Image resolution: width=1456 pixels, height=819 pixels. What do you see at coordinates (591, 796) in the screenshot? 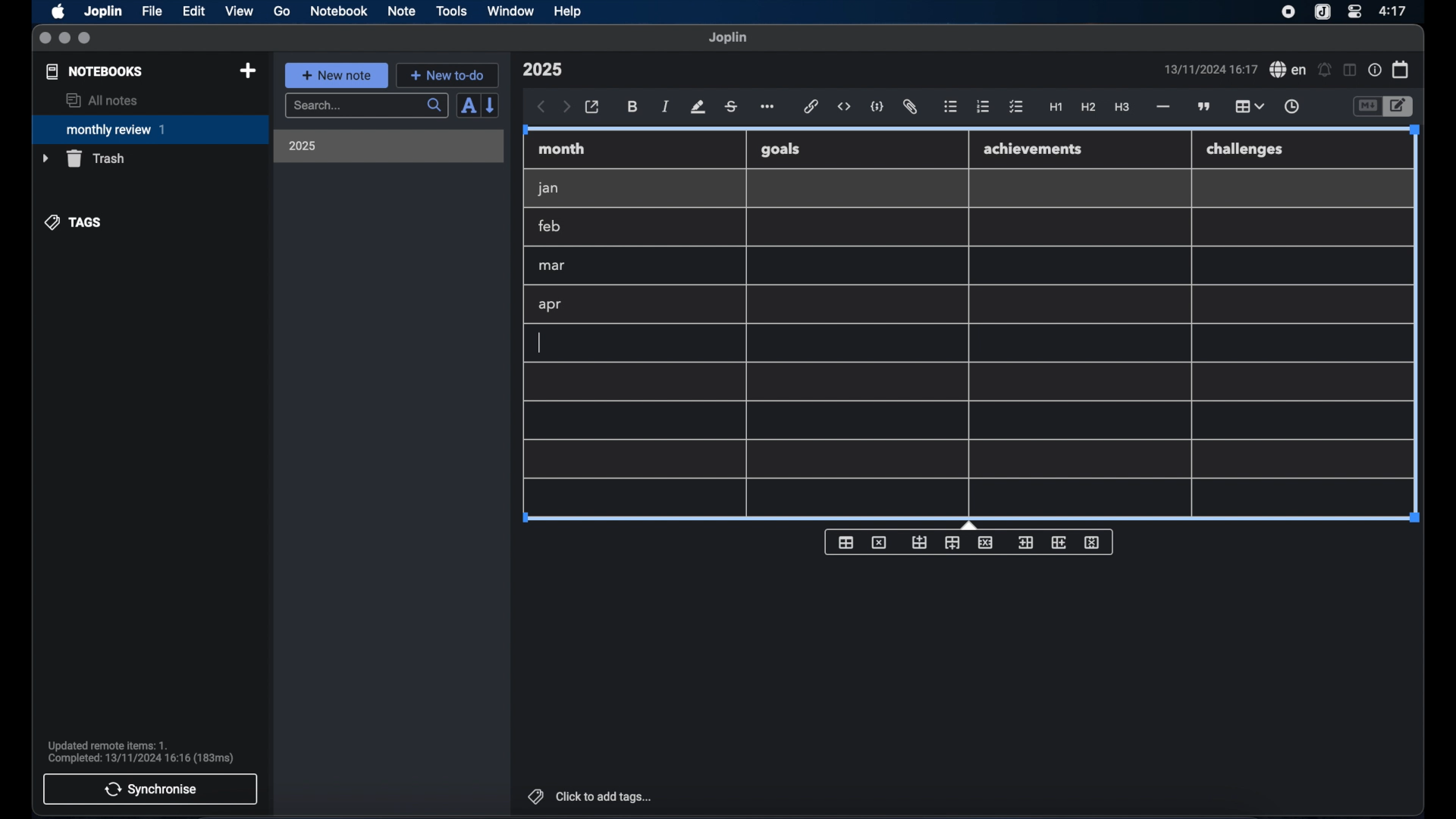
I see `click to add tags` at bounding box center [591, 796].